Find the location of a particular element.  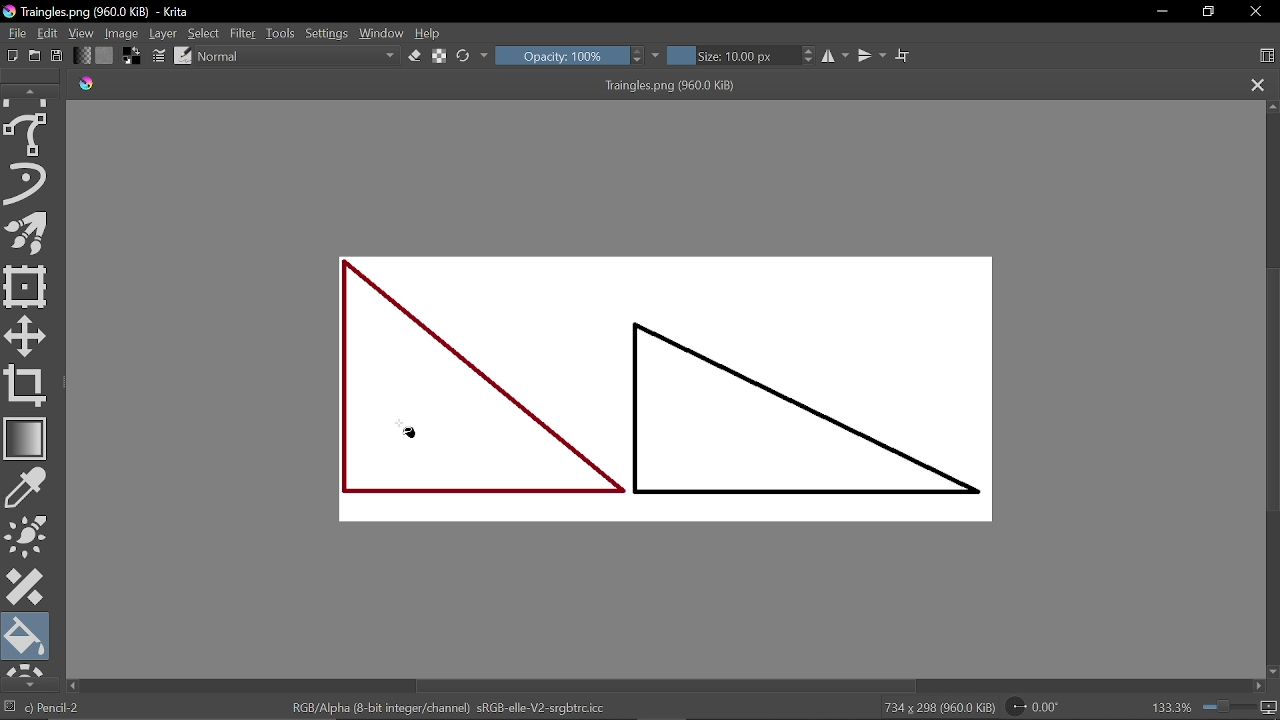

Open existing document is located at coordinates (34, 56).